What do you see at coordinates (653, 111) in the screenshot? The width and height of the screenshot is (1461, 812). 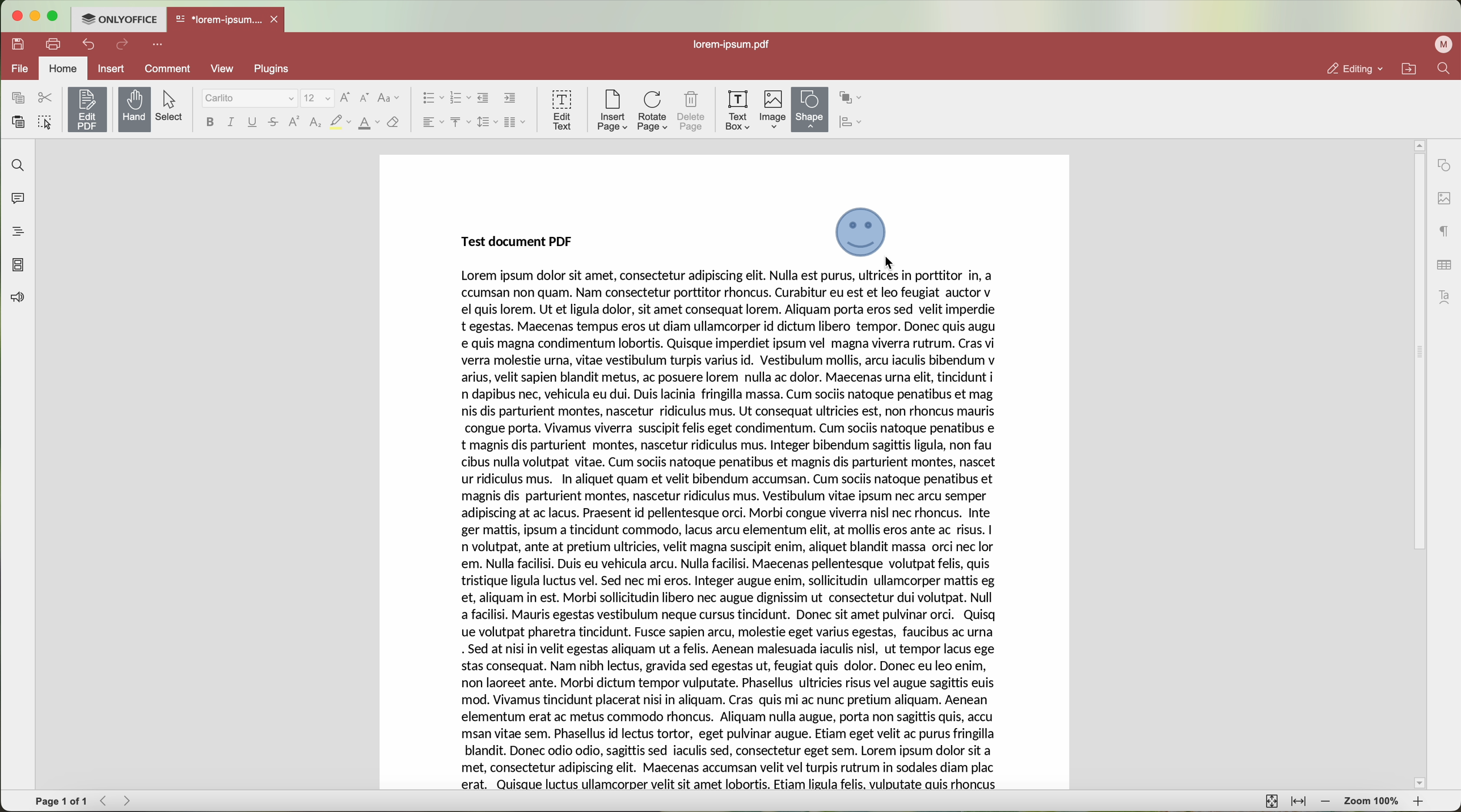 I see `rotate page` at bounding box center [653, 111].